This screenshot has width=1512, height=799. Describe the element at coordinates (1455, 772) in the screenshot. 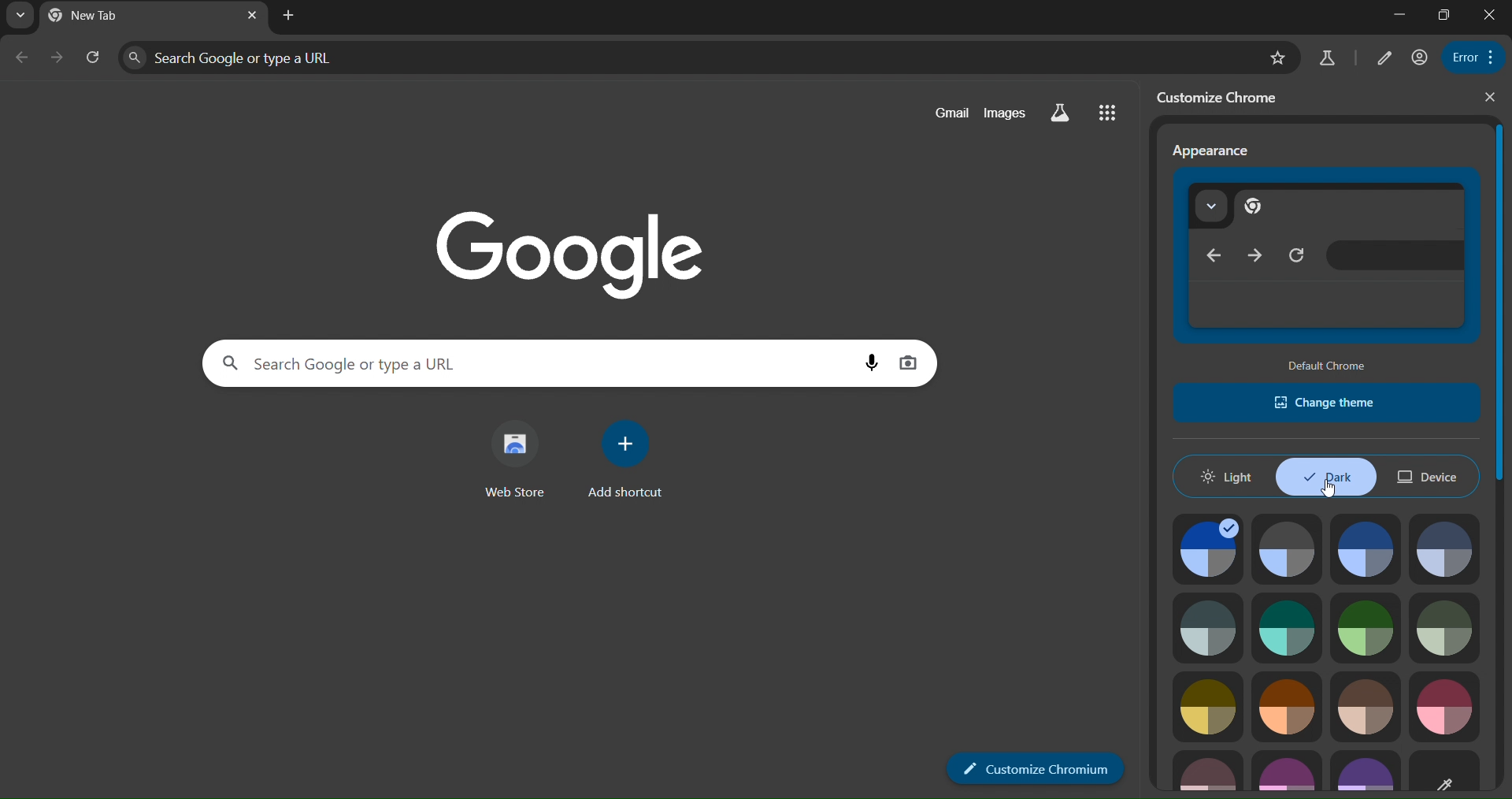

I see `theme icon` at that location.